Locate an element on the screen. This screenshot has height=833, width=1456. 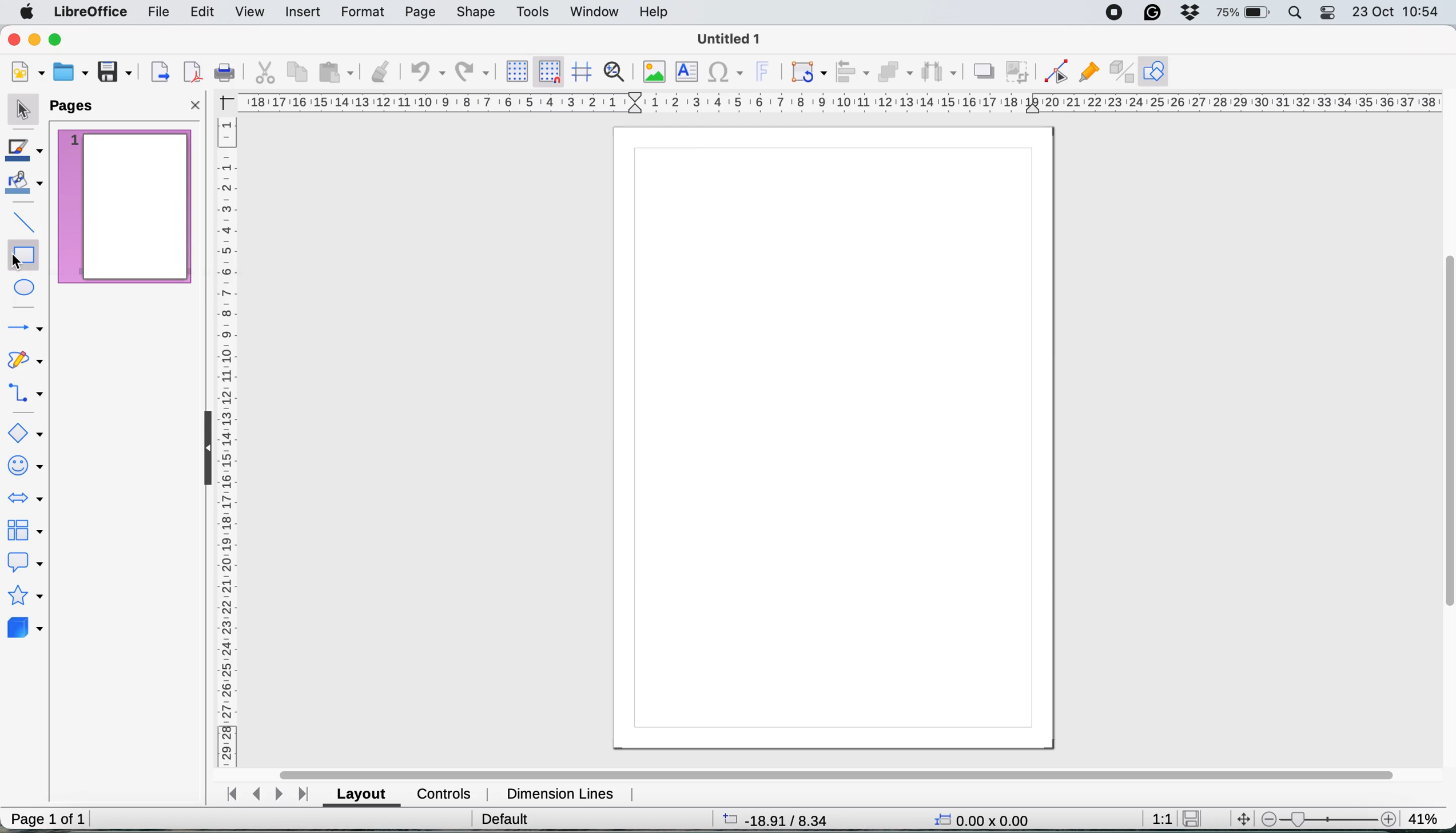
pages is located at coordinates (77, 107).